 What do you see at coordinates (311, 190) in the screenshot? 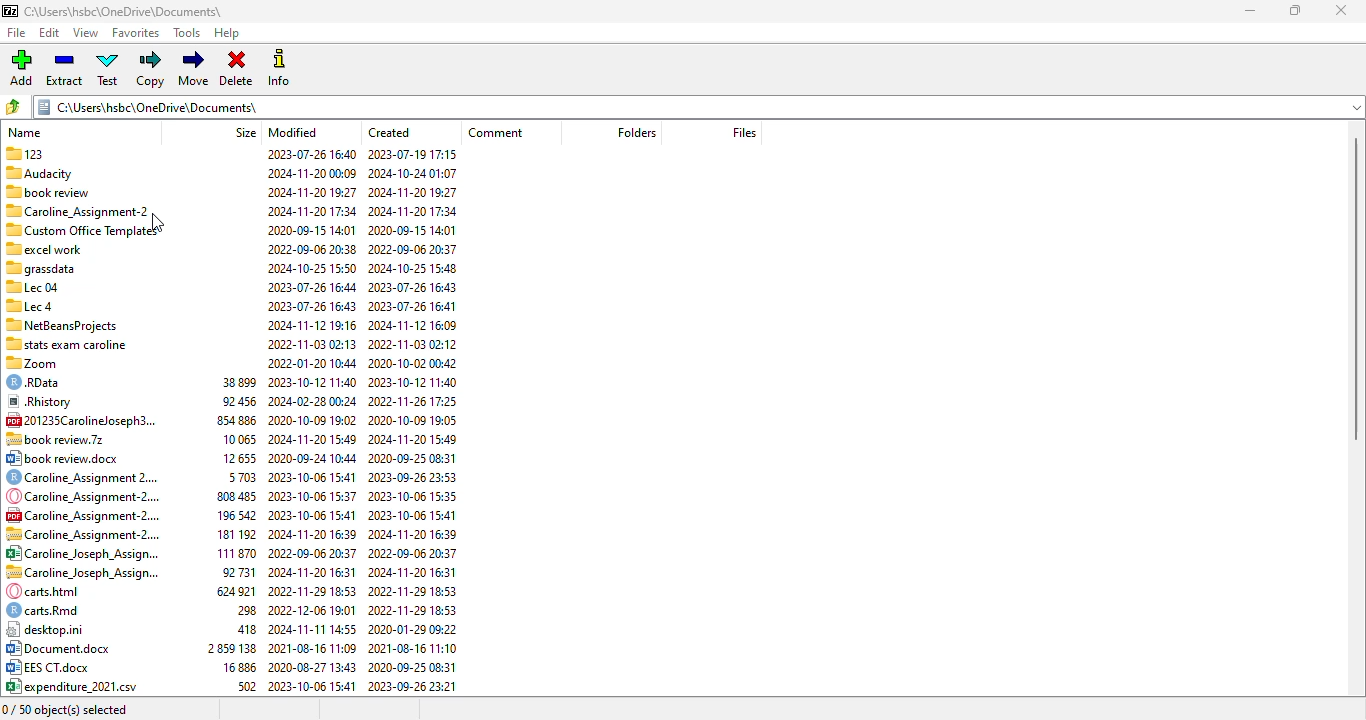
I see `2024-11-20 19:27` at bounding box center [311, 190].